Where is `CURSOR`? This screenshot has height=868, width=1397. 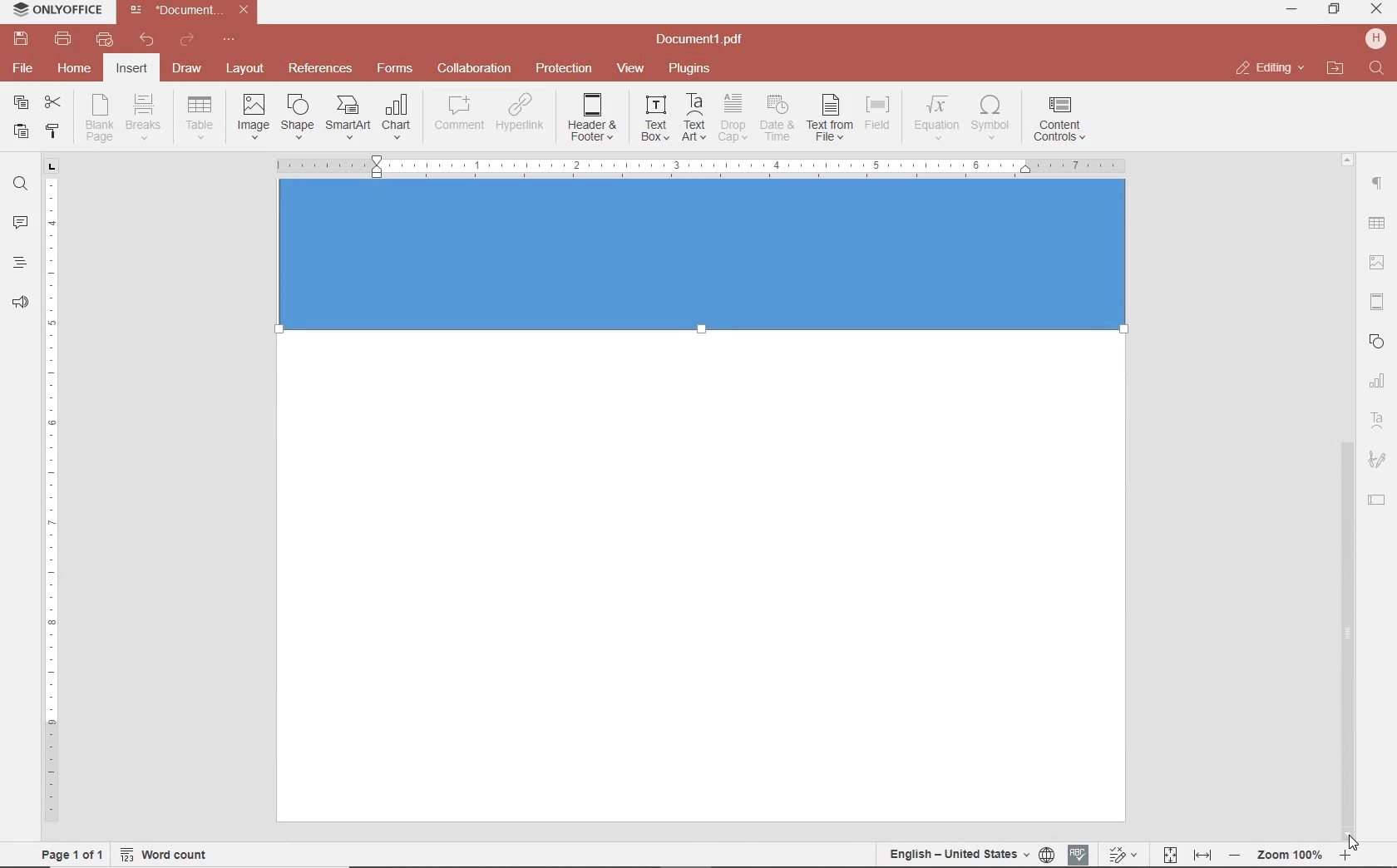
CURSOR is located at coordinates (1352, 843).